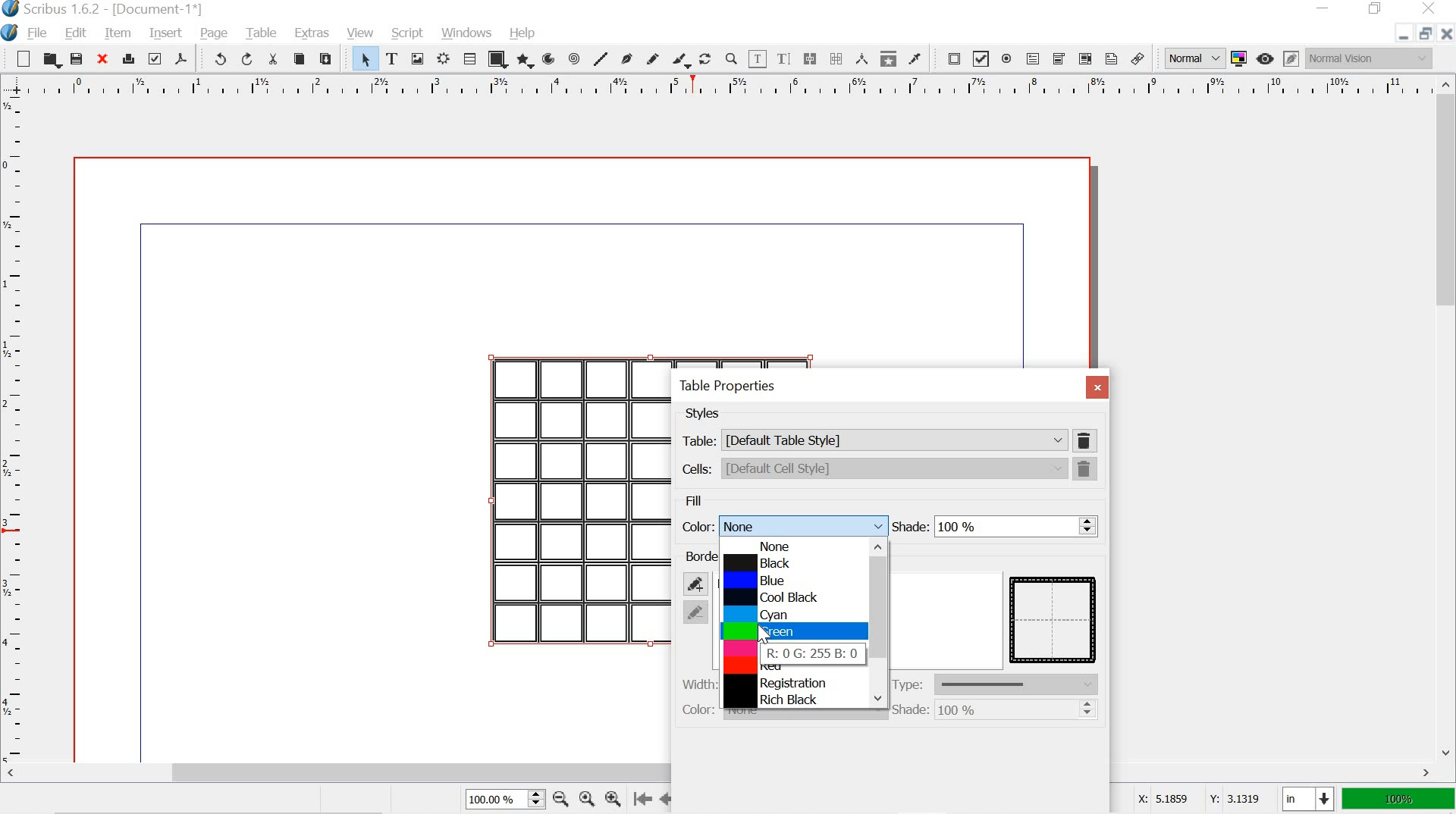 The height and width of the screenshot is (814, 1456). I want to click on close, so click(1097, 388).